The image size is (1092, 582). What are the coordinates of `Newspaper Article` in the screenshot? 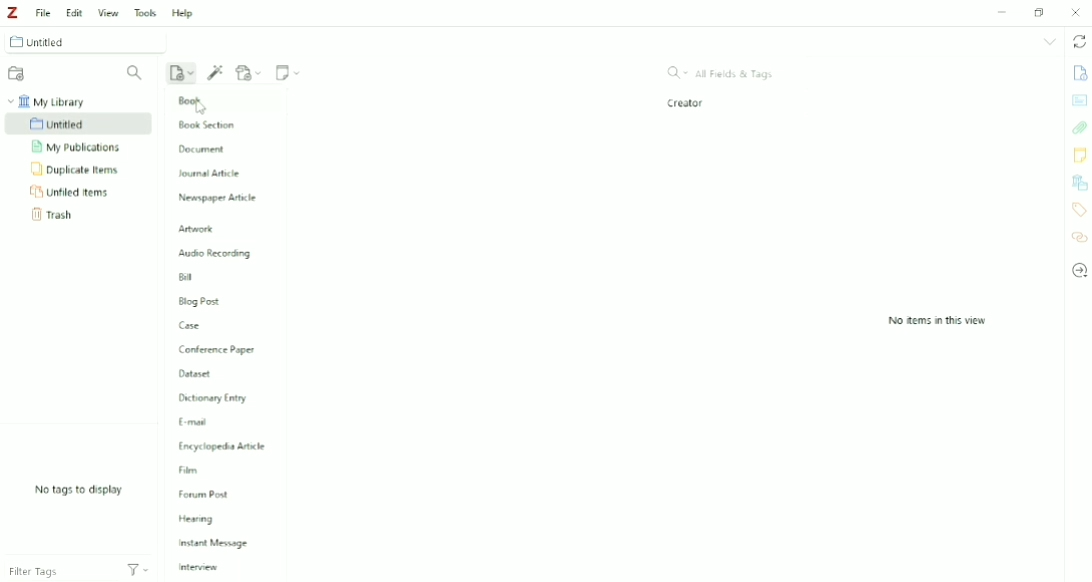 It's located at (219, 200).